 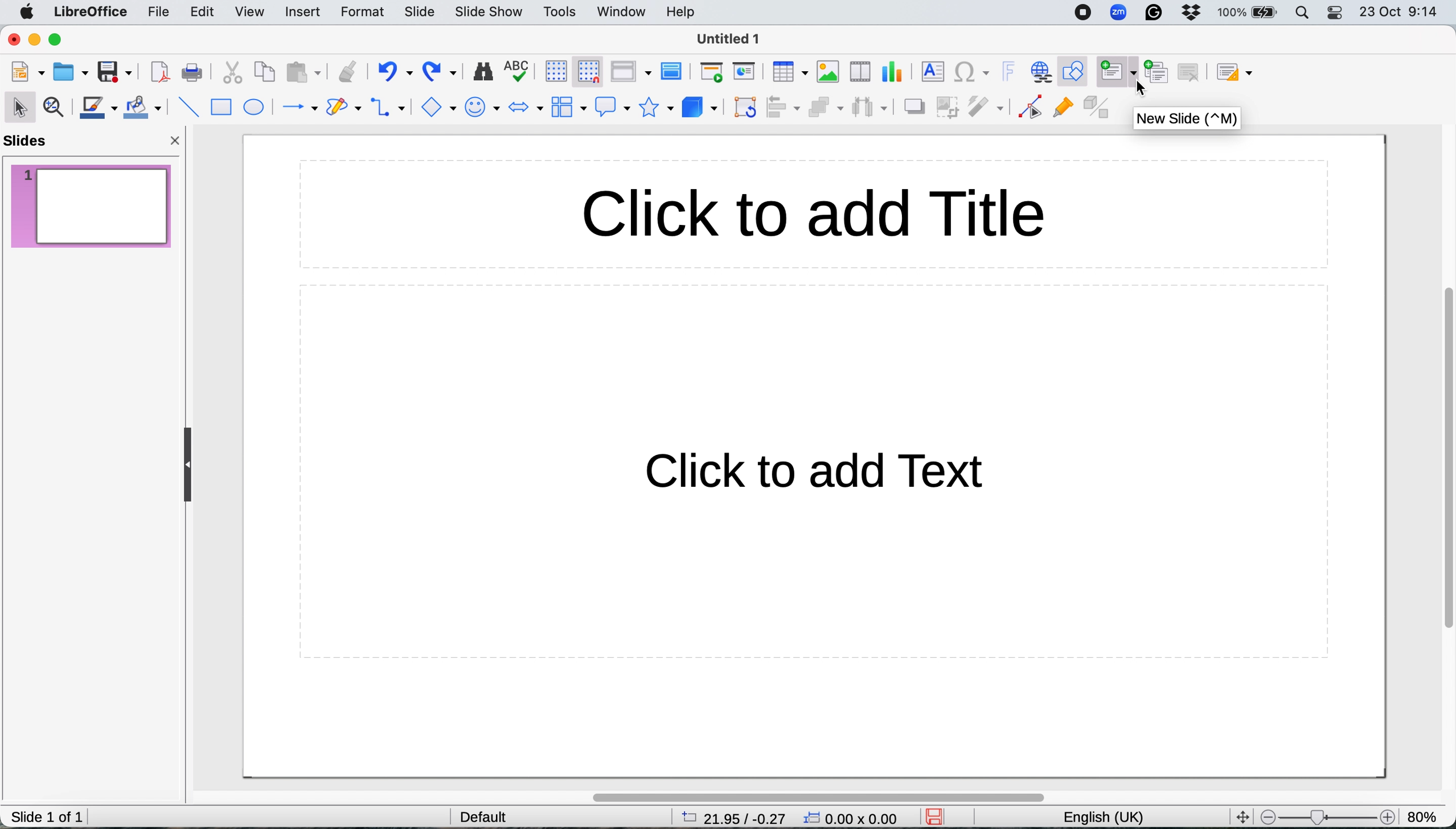 What do you see at coordinates (1101, 816) in the screenshot?
I see `english uk` at bounding box center [1101, 816].